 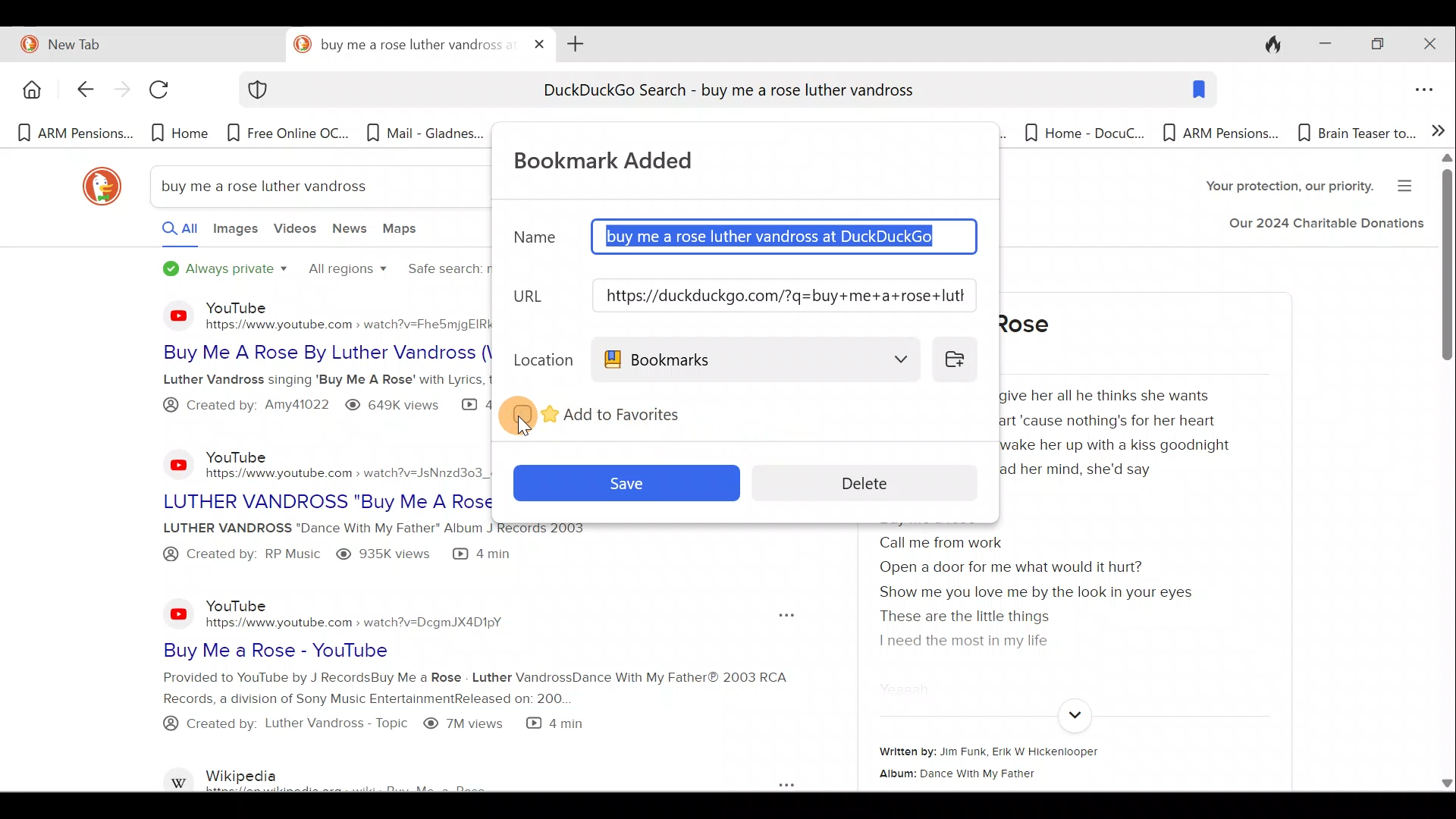 I want to click on New Tab, so click(x=140, y=42).